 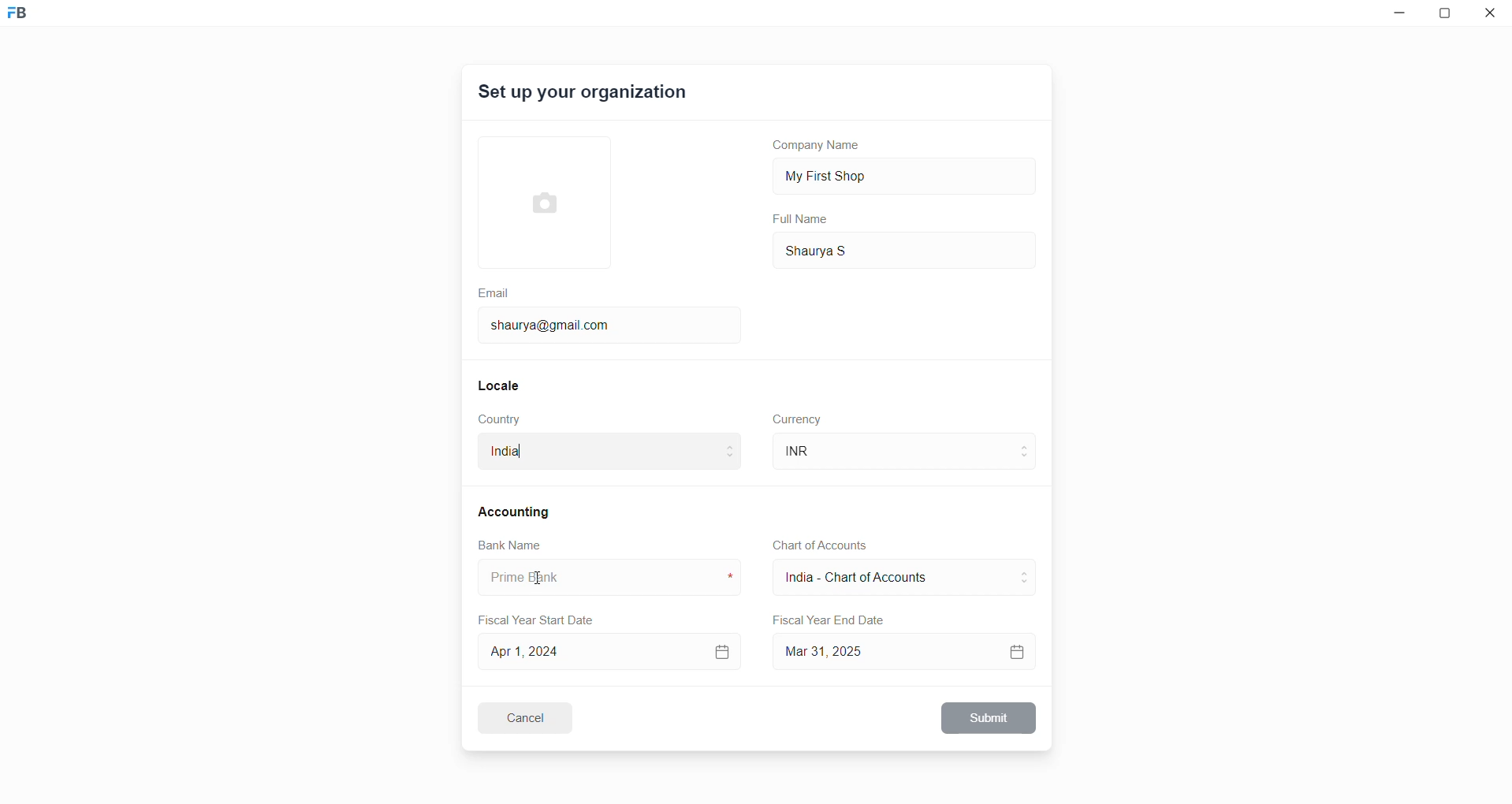 I want to click on Mar 31, 2025, so click(x=907, y=651).